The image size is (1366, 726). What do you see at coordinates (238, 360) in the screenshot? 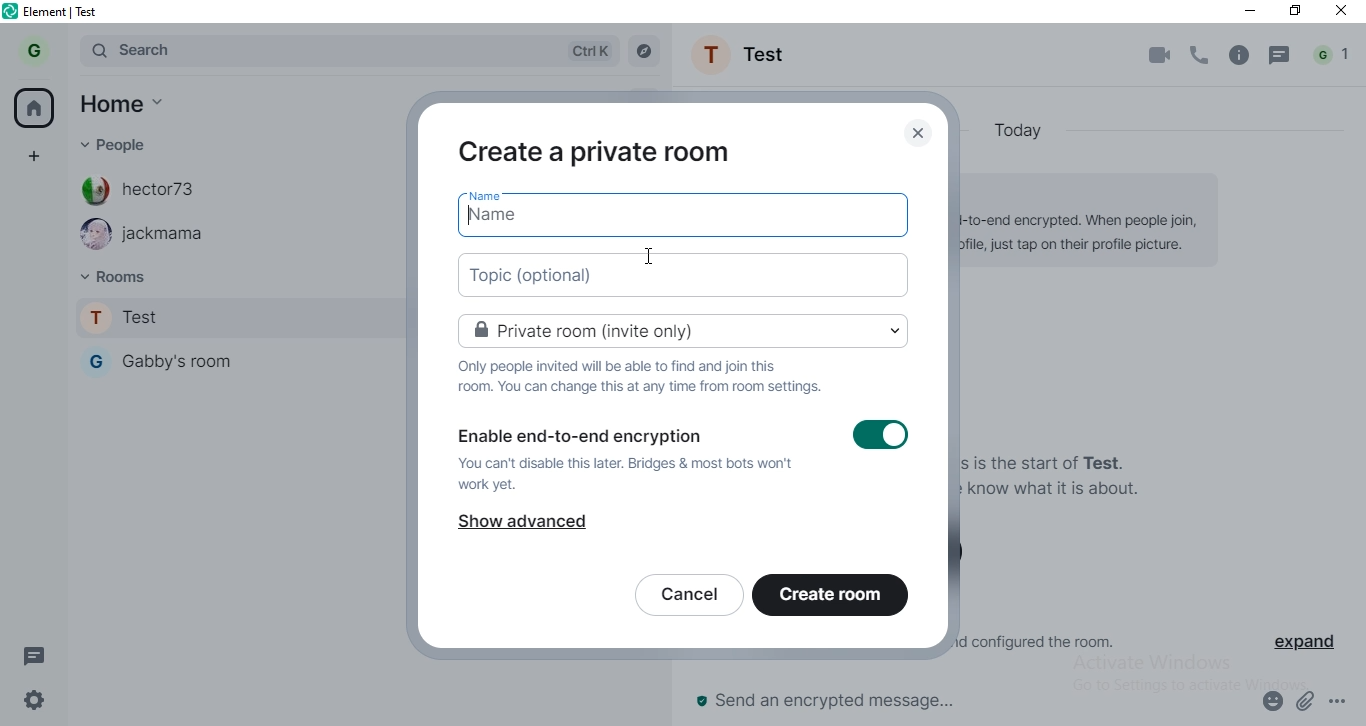
I see `gabby's room` at bounding box center [238, 360].